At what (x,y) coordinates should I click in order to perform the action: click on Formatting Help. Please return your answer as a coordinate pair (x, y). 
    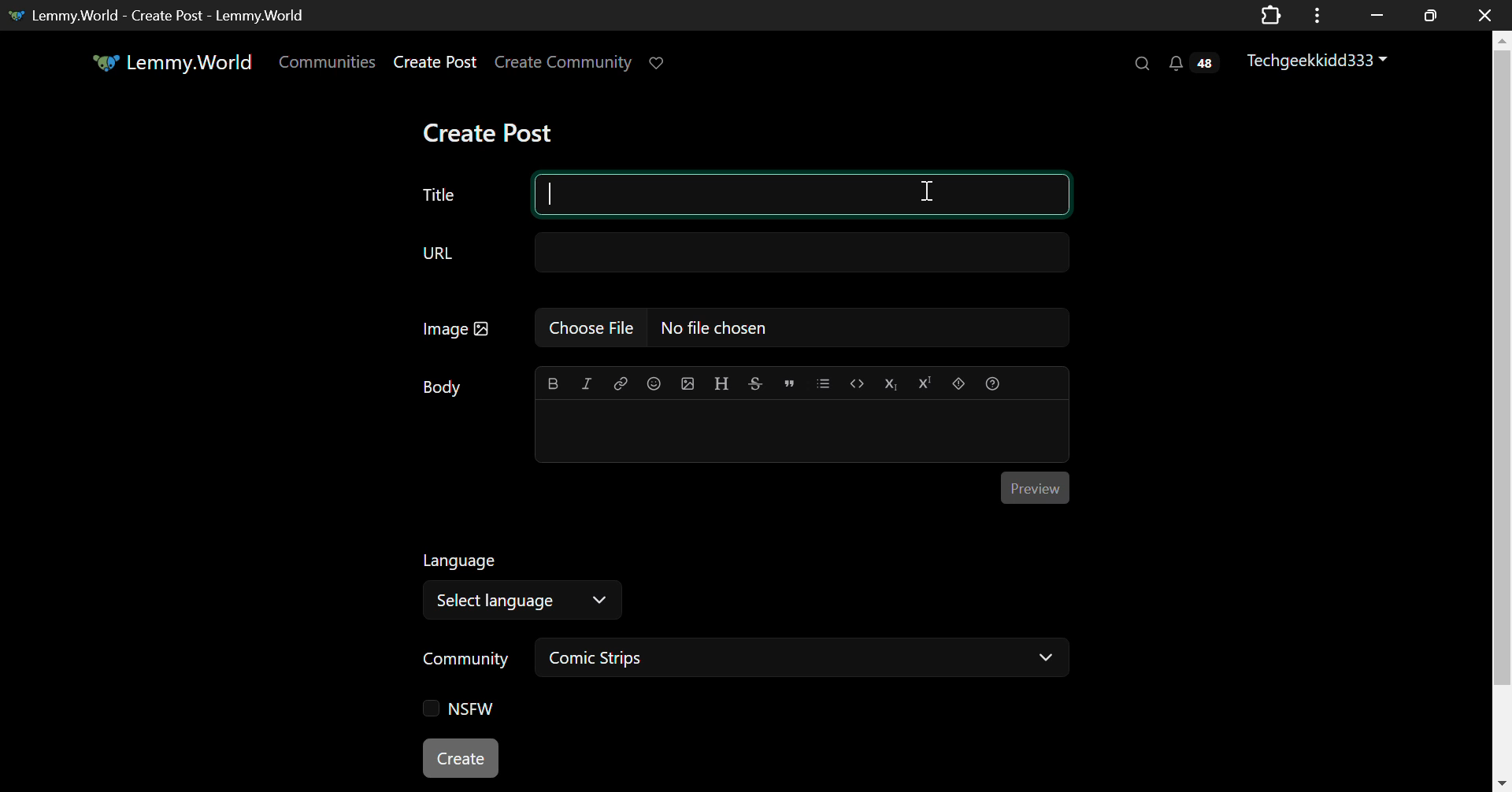
    Looking at the image, I should click on (992, 381).